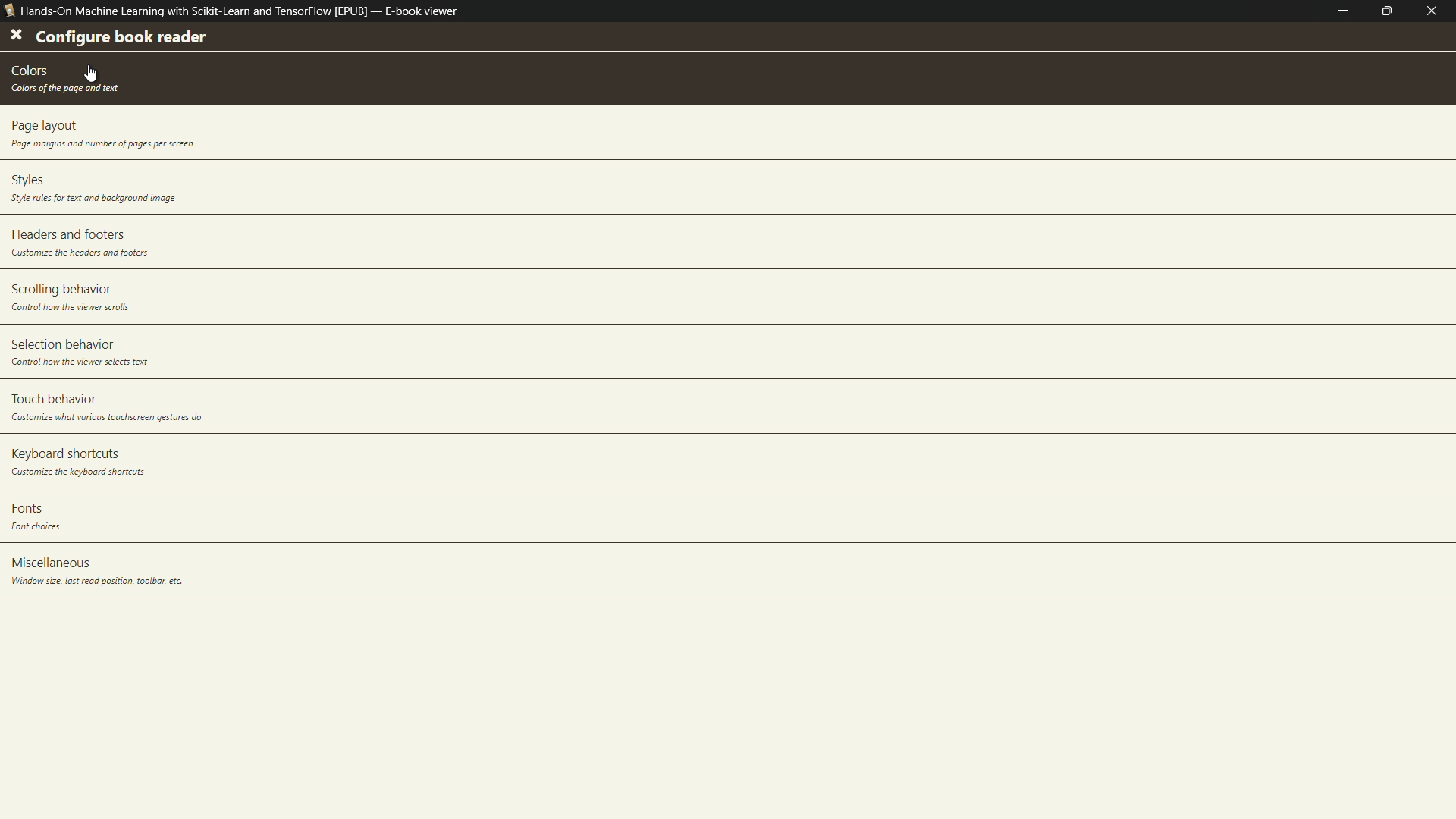 The width and height of the screenshot is (1456, 819). Describe the element at coordinates (92, 199) in the screenshot. I see `text` at that location.